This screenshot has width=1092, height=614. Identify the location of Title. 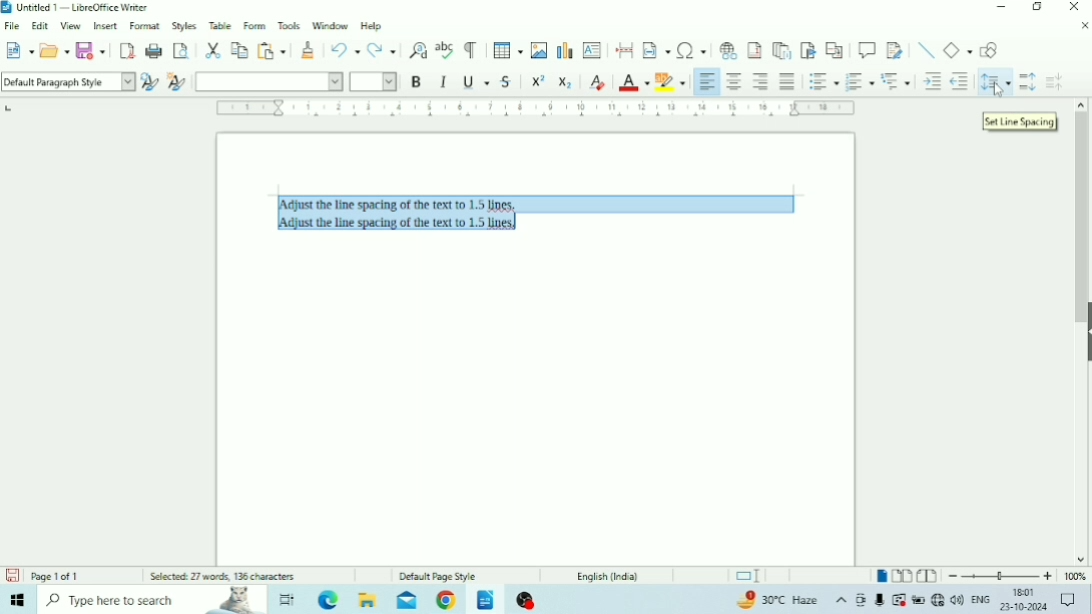
(83, 7).